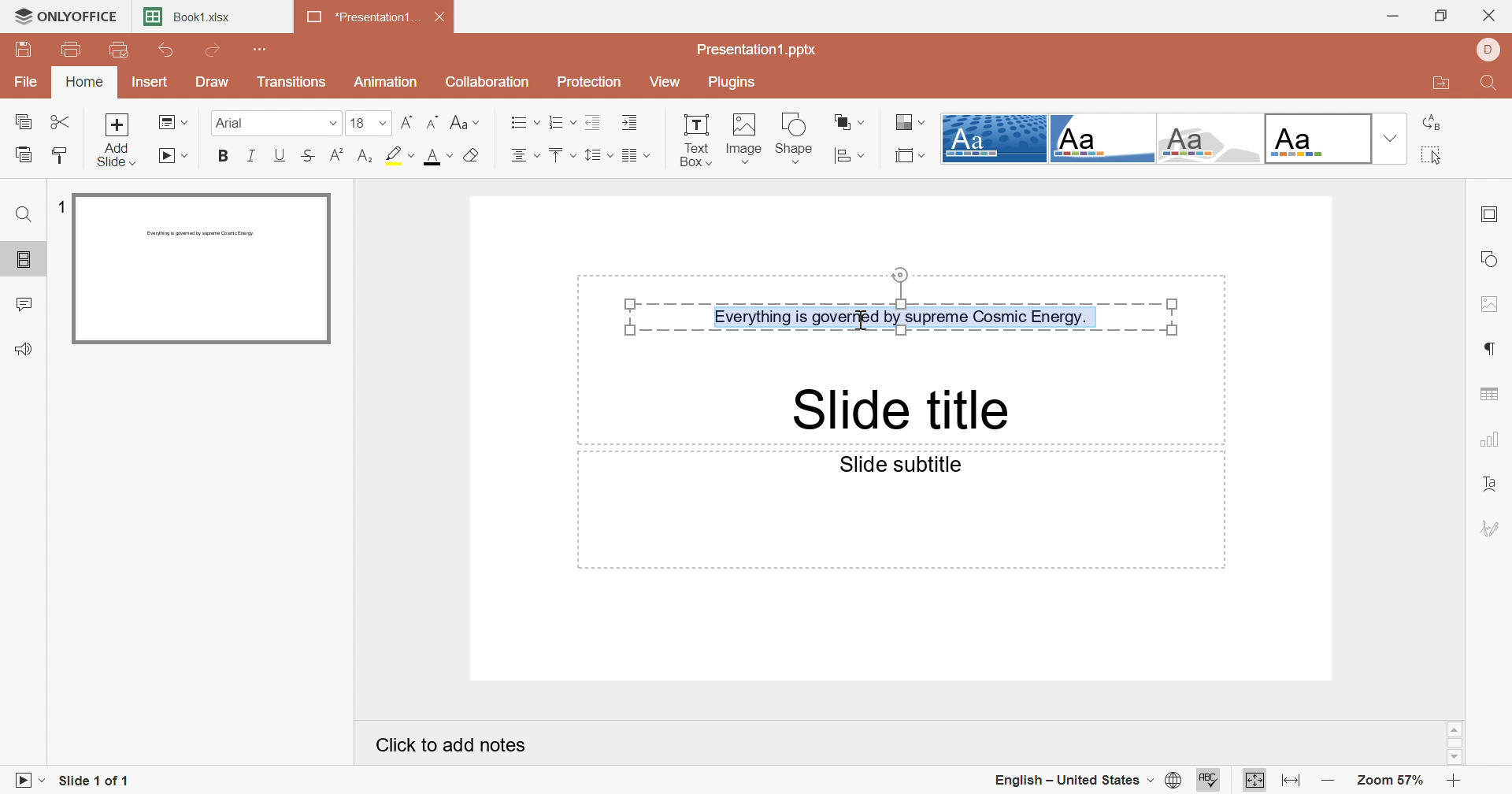  I want to click on Find, so click(24, 212).